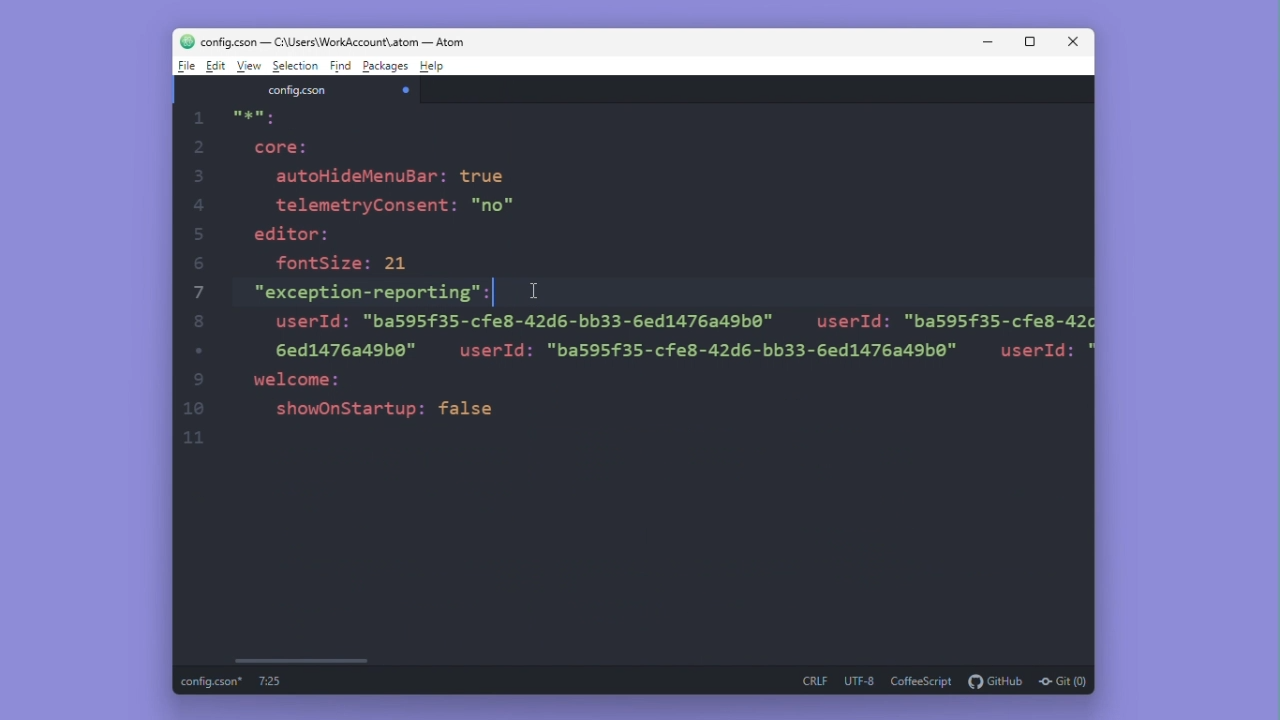 This screenshot has width=1280, height=720. What do you see at coordinates (645, 268) in the screenshot?
I see `autoHideflenuBar: true telemetryConsent: "no" editor: fontSize: 21 "exception-reporting": ! userId: "ba595f35-cfe8-42d6-bb33-6ed1476a49b0" 7 userId: "ba595f35-cfe8-42 6ed1476849b0" userId: "ba595f35-cfe8-42d6-bb33-6ed1476a49b0" welcome: showOnStartup: false userId: < 9 11 cursor Others root: 7 keys text: "cursor category: "Others" width: 127 height: 148 top-left: 2 items 0: 457.125 1: 483.6666717529297 ▾bottom-right: 2 items 0: 584.125 1: 631.6666717529297 color: "#ff0000" Download JSON 2 core:` at bounding box center [645, 268].